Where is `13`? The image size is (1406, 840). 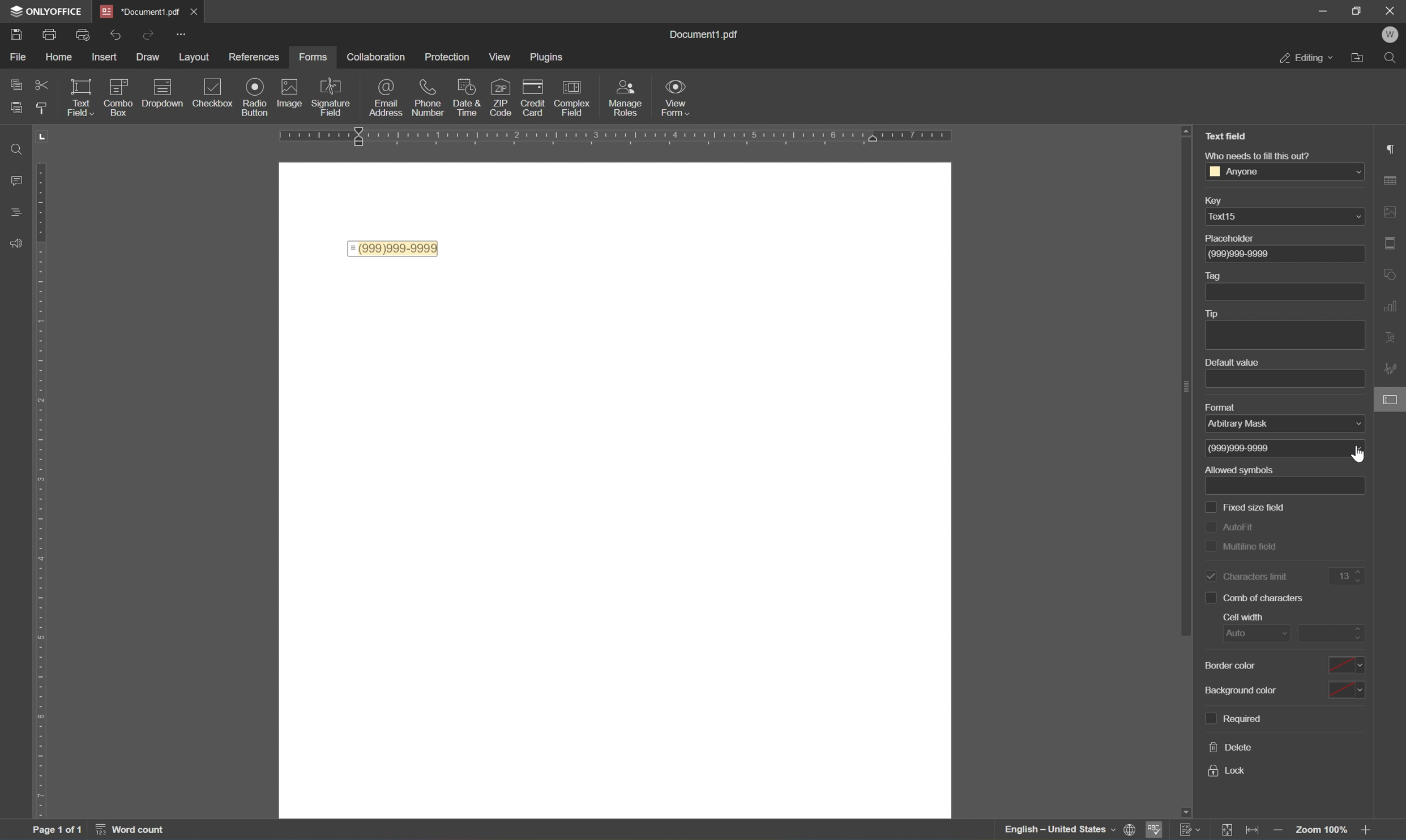 13 is located at coordinates (1351, 573).